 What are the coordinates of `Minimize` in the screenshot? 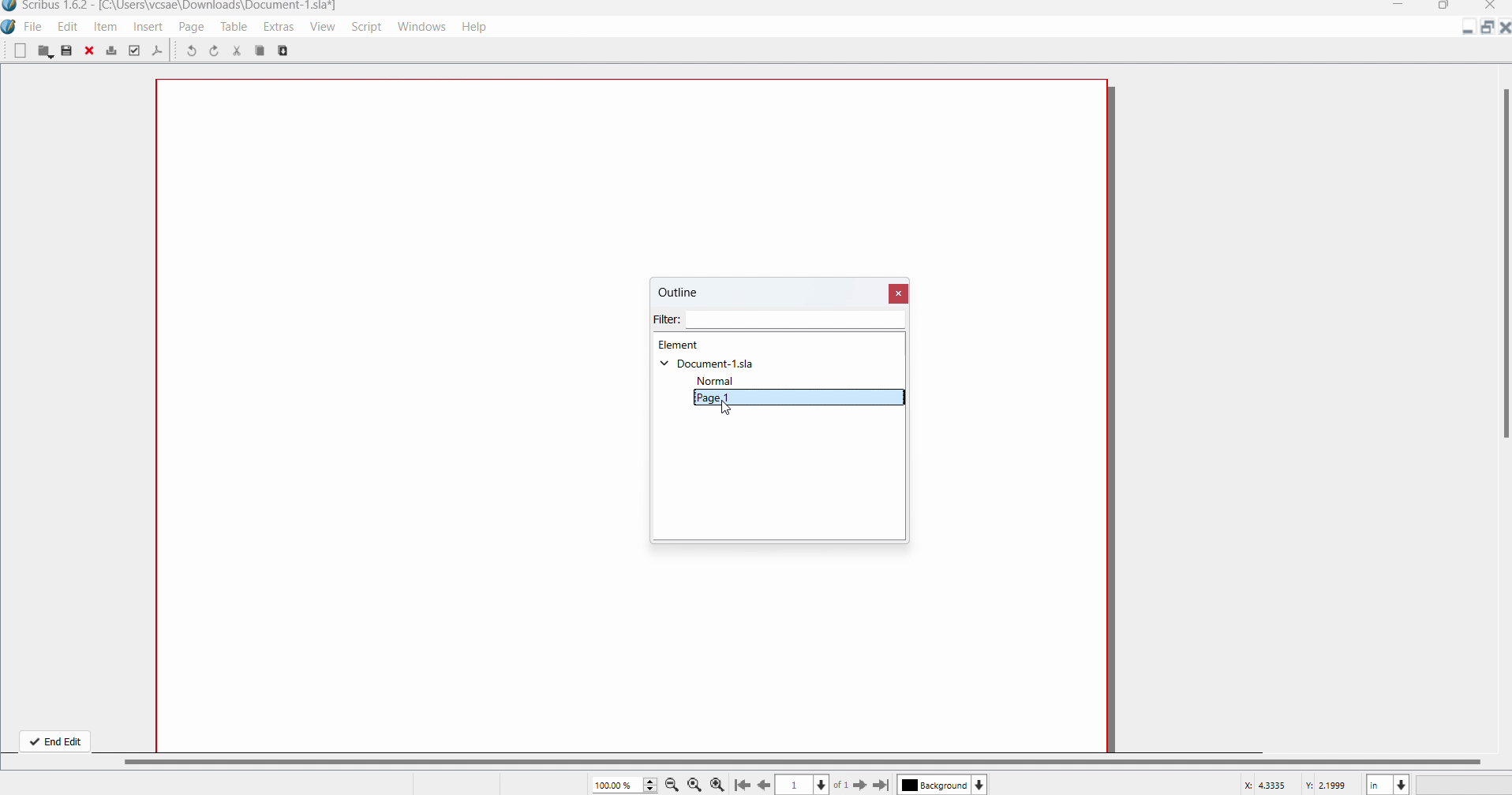 It's located at (1470, 31).